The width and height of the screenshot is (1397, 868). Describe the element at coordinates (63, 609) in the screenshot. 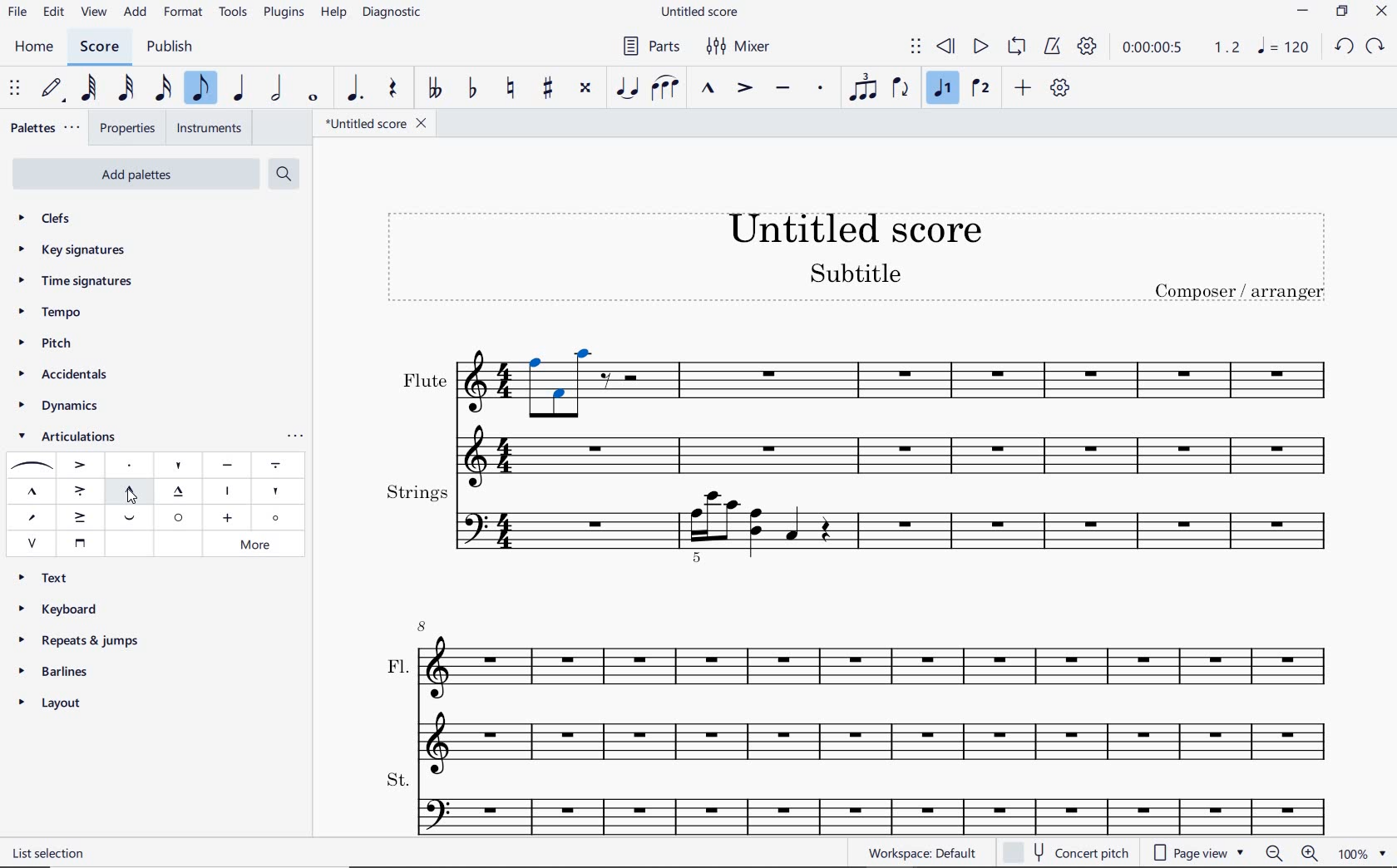

I see `keyboard` at that location.